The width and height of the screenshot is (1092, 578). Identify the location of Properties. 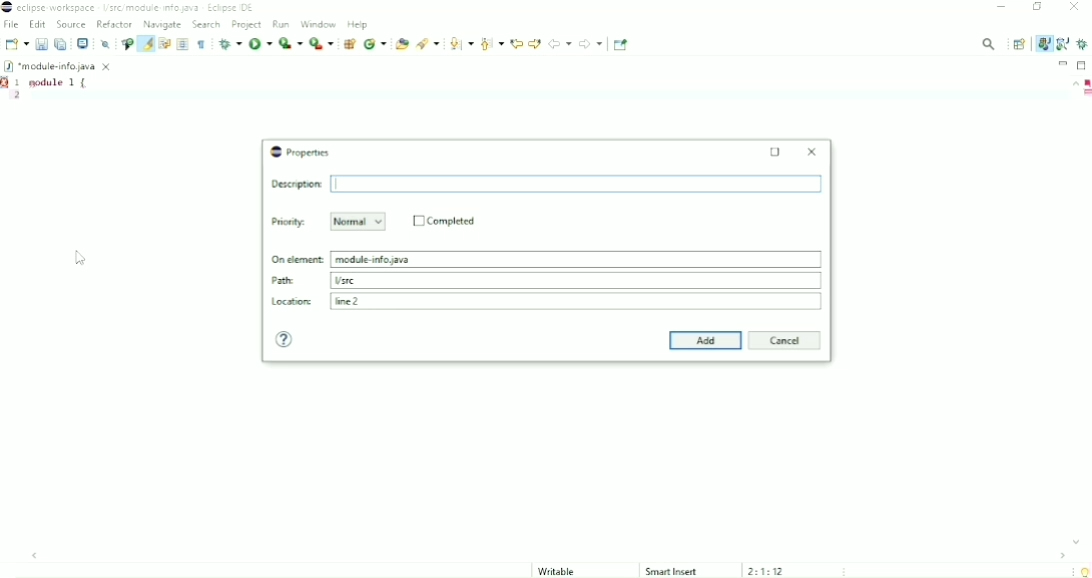
(301, 153).